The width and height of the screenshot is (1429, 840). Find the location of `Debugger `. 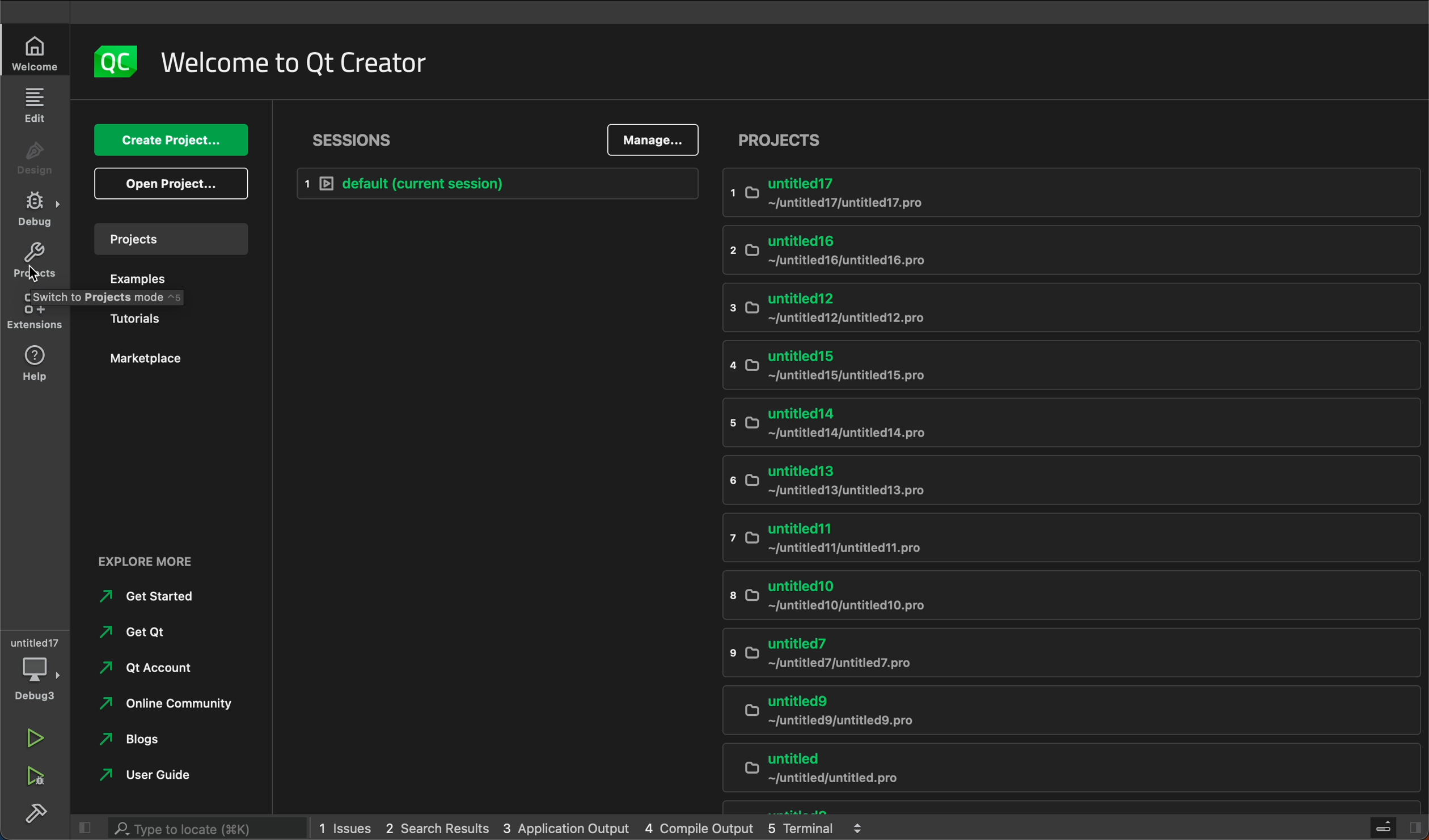

Debugger  is located at coordinates (33, 667).